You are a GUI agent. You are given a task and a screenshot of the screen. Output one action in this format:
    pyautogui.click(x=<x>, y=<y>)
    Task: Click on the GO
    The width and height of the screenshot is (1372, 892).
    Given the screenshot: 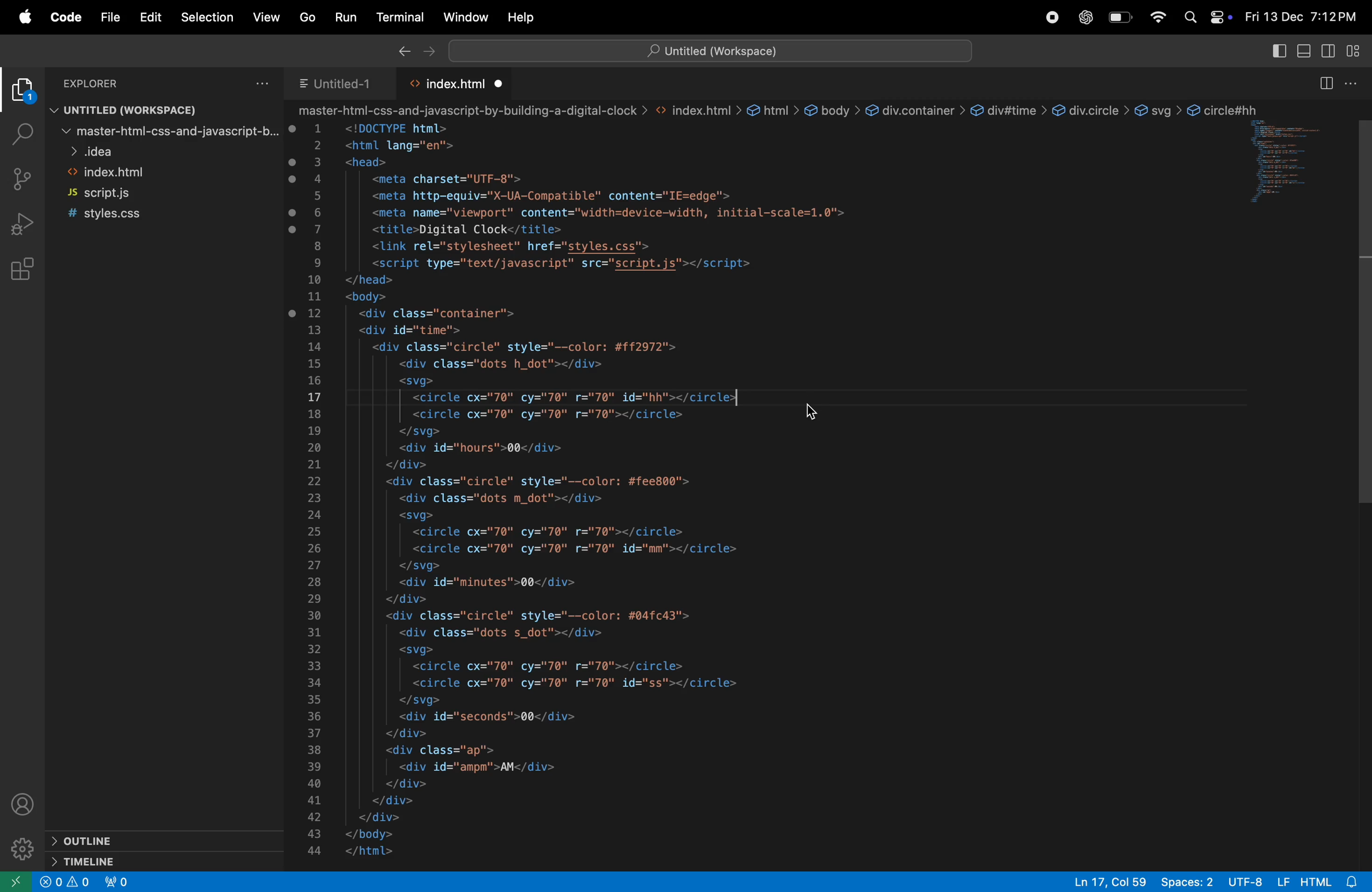 What is the action you would take?
    pyautogui.click(x=307, y=16)
    